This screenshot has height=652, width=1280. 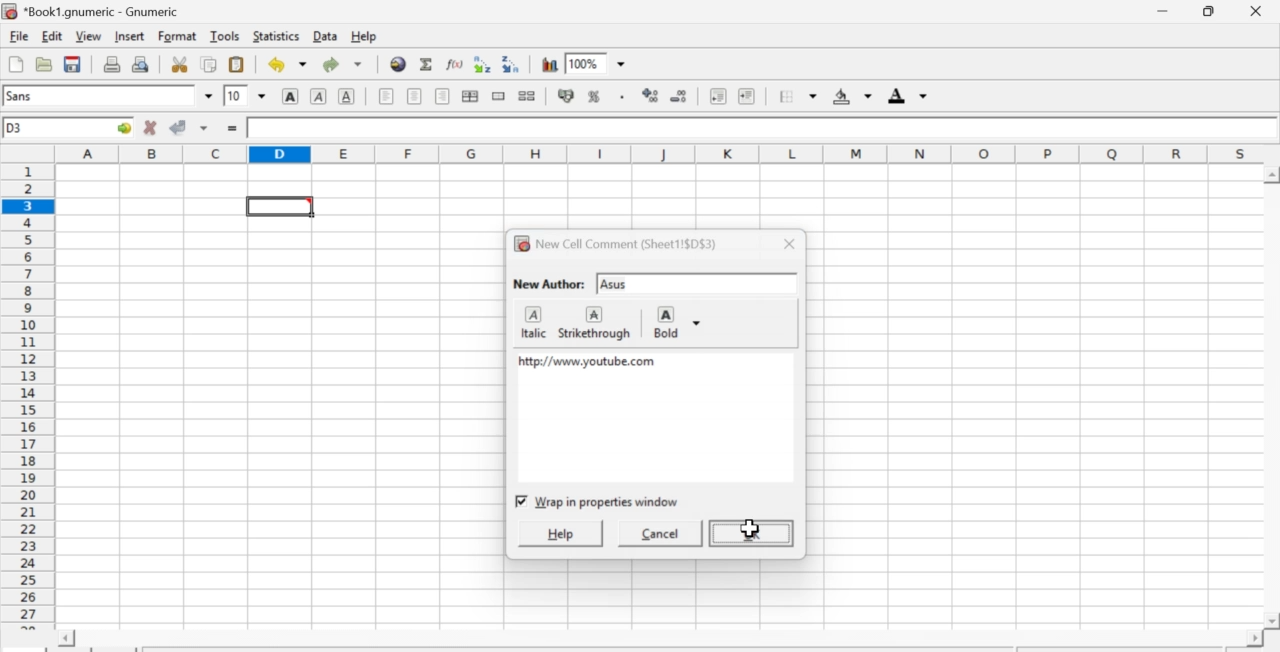 I want to click on Contents of the cell, so click(x=754, y=128).